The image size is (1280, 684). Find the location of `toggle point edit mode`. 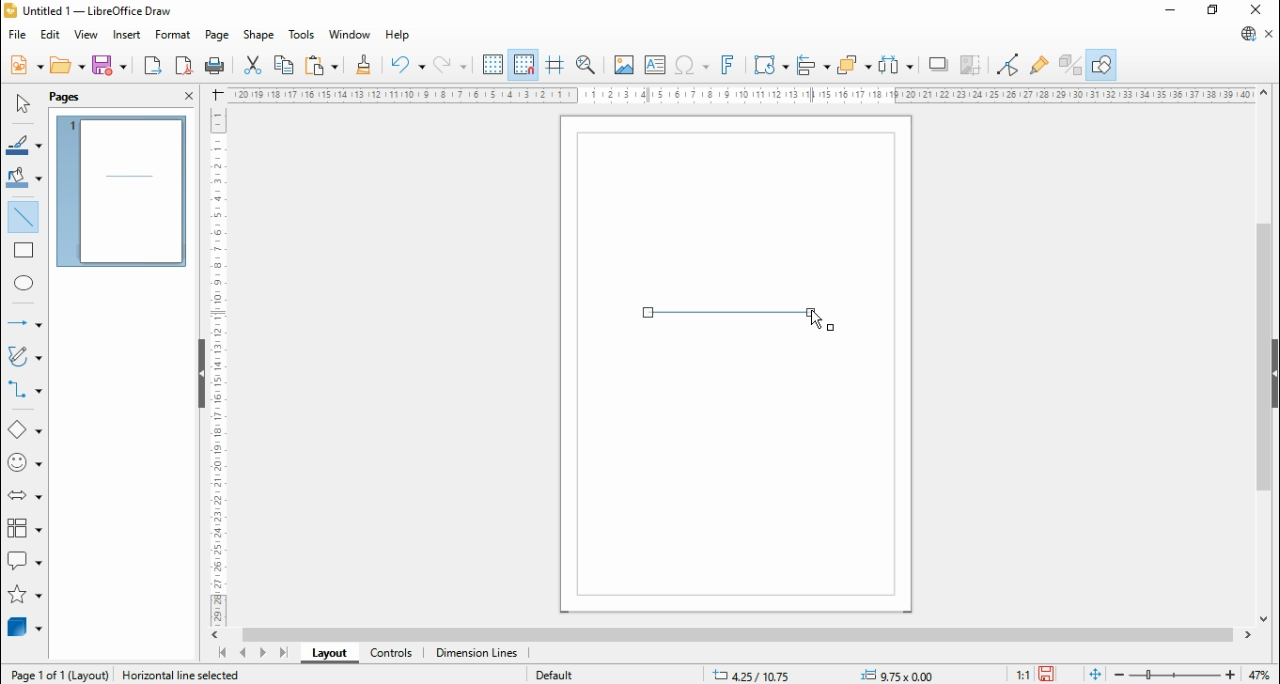

toggle point edit mode is located at coordinates (1008, 63).